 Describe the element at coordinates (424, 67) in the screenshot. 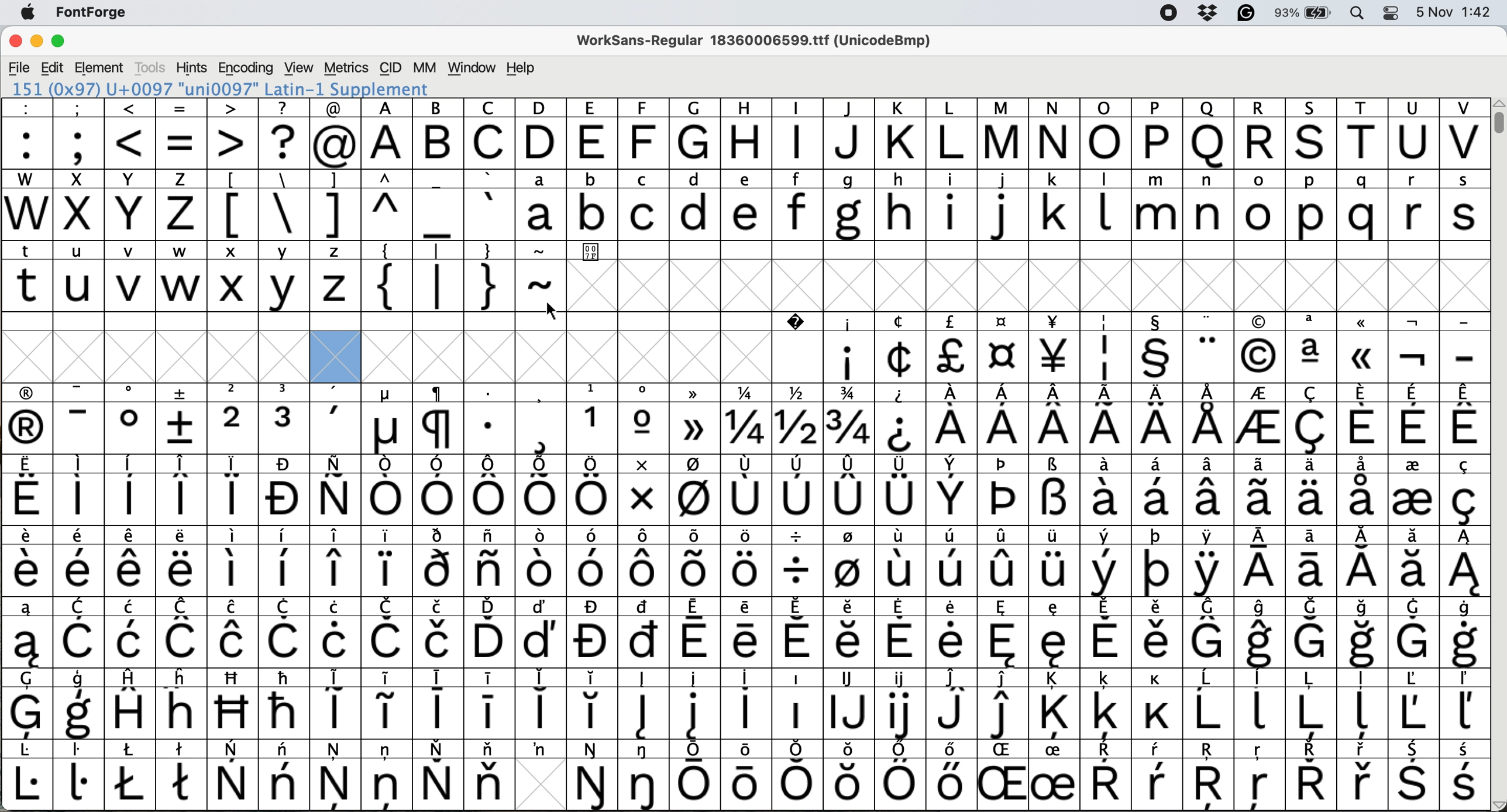

I see `mm` at that location.